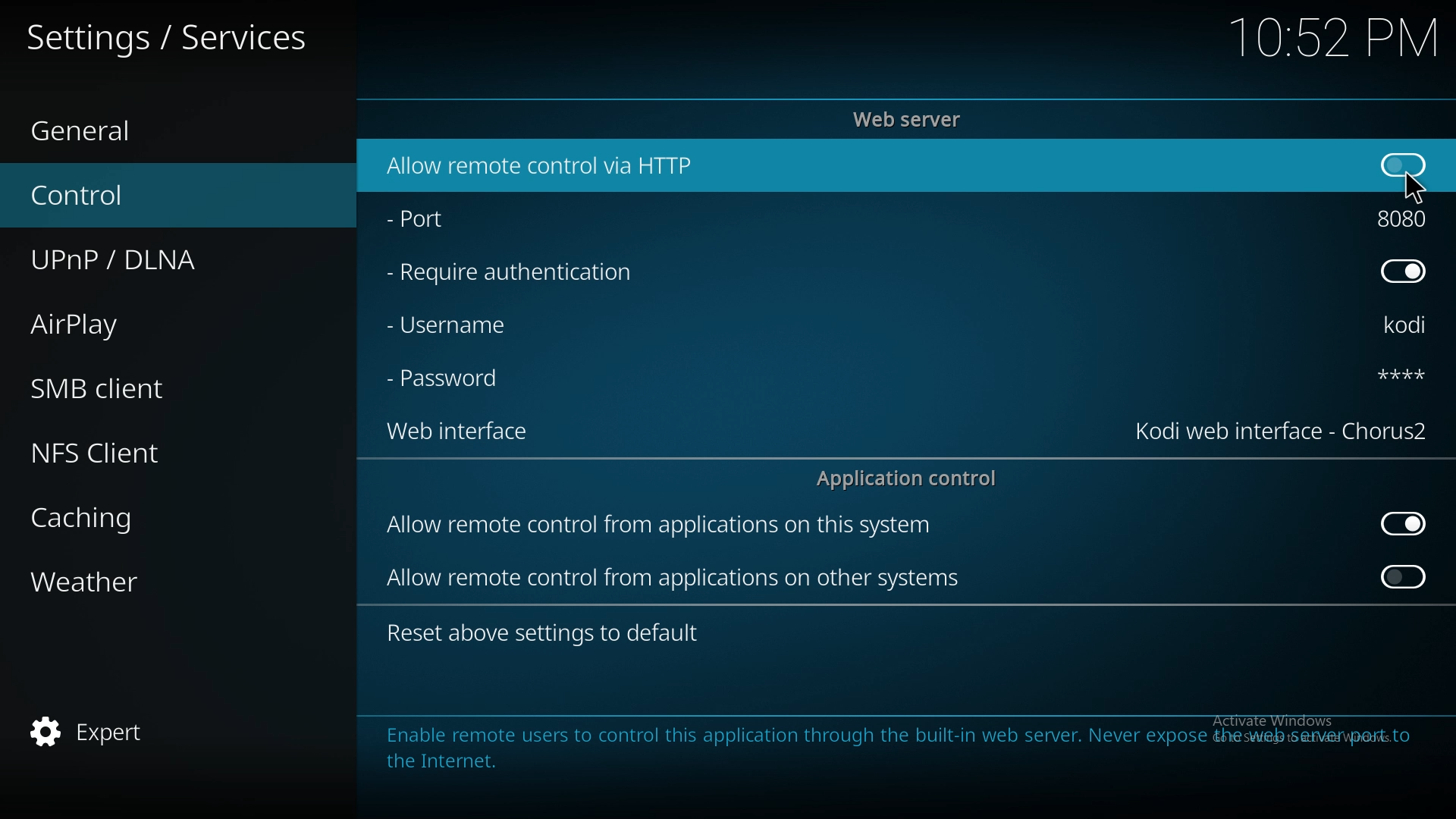 The height and width of the screenshot is (819, 1456). I want to click on web interface, so click(1284, 431).